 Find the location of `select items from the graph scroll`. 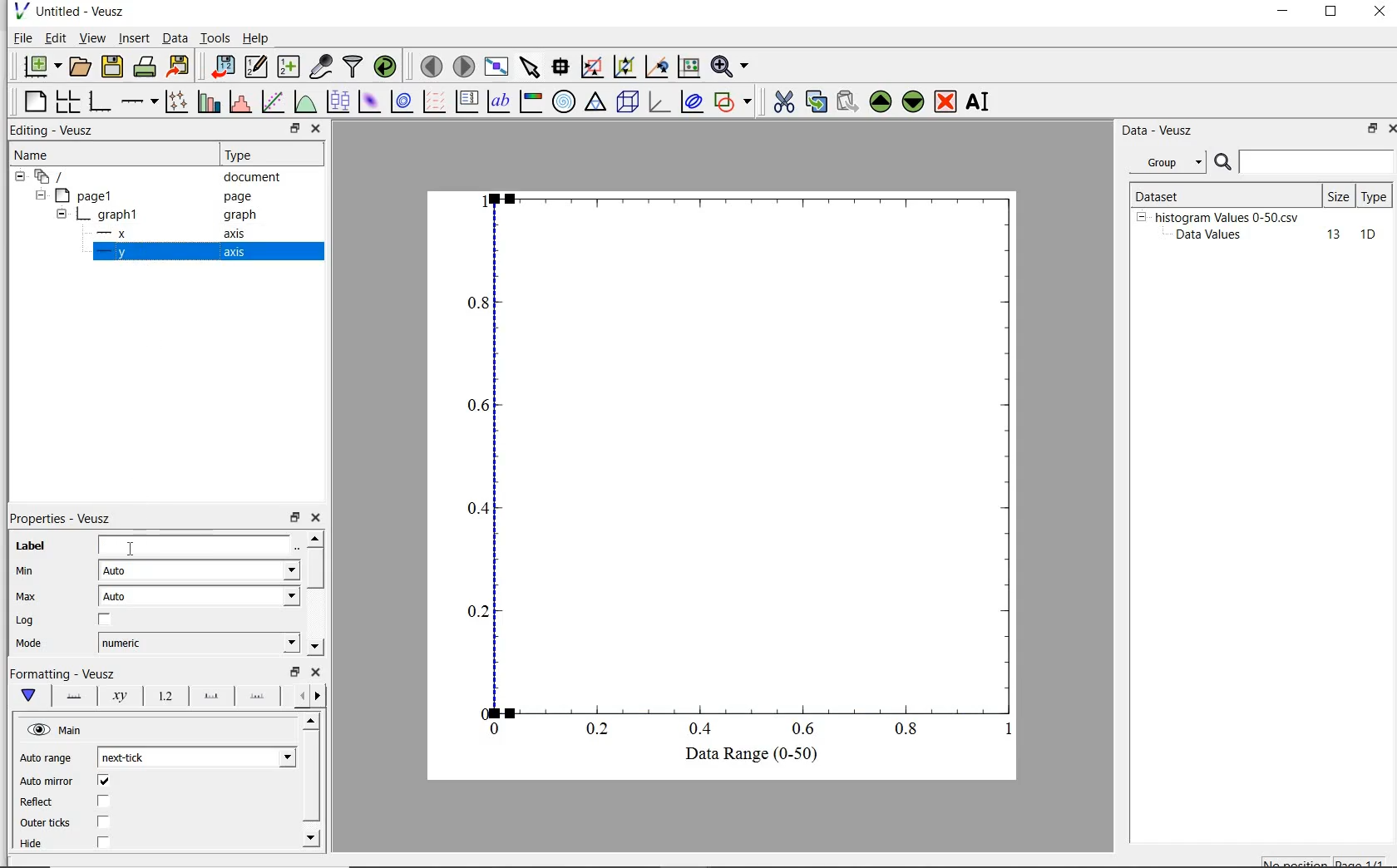

select items from the graph scroll is located at coordinates (531, 65).